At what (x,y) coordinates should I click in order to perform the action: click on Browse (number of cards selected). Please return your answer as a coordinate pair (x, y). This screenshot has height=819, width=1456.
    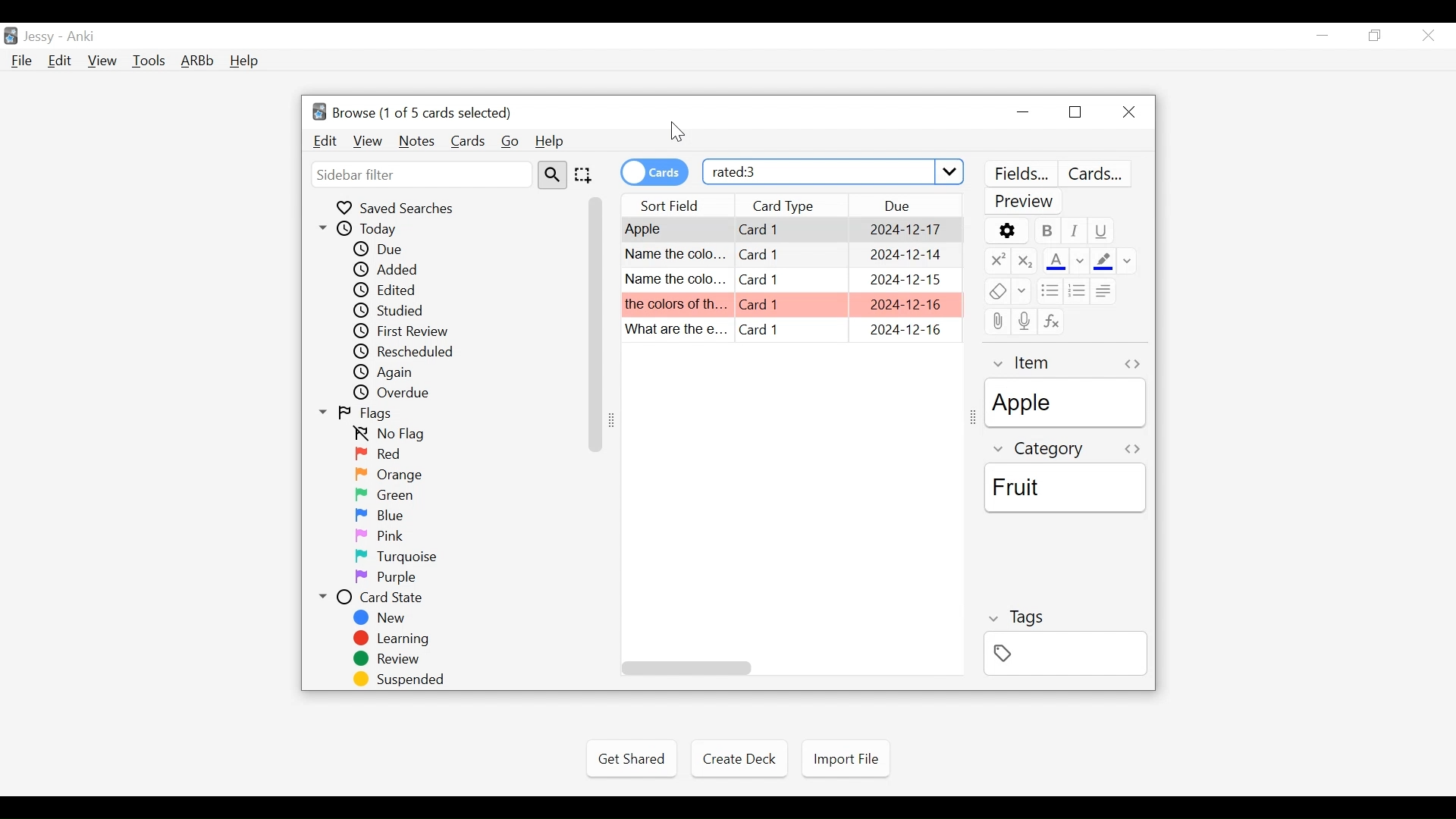
    Looking at the image, I should click on (415, 112).